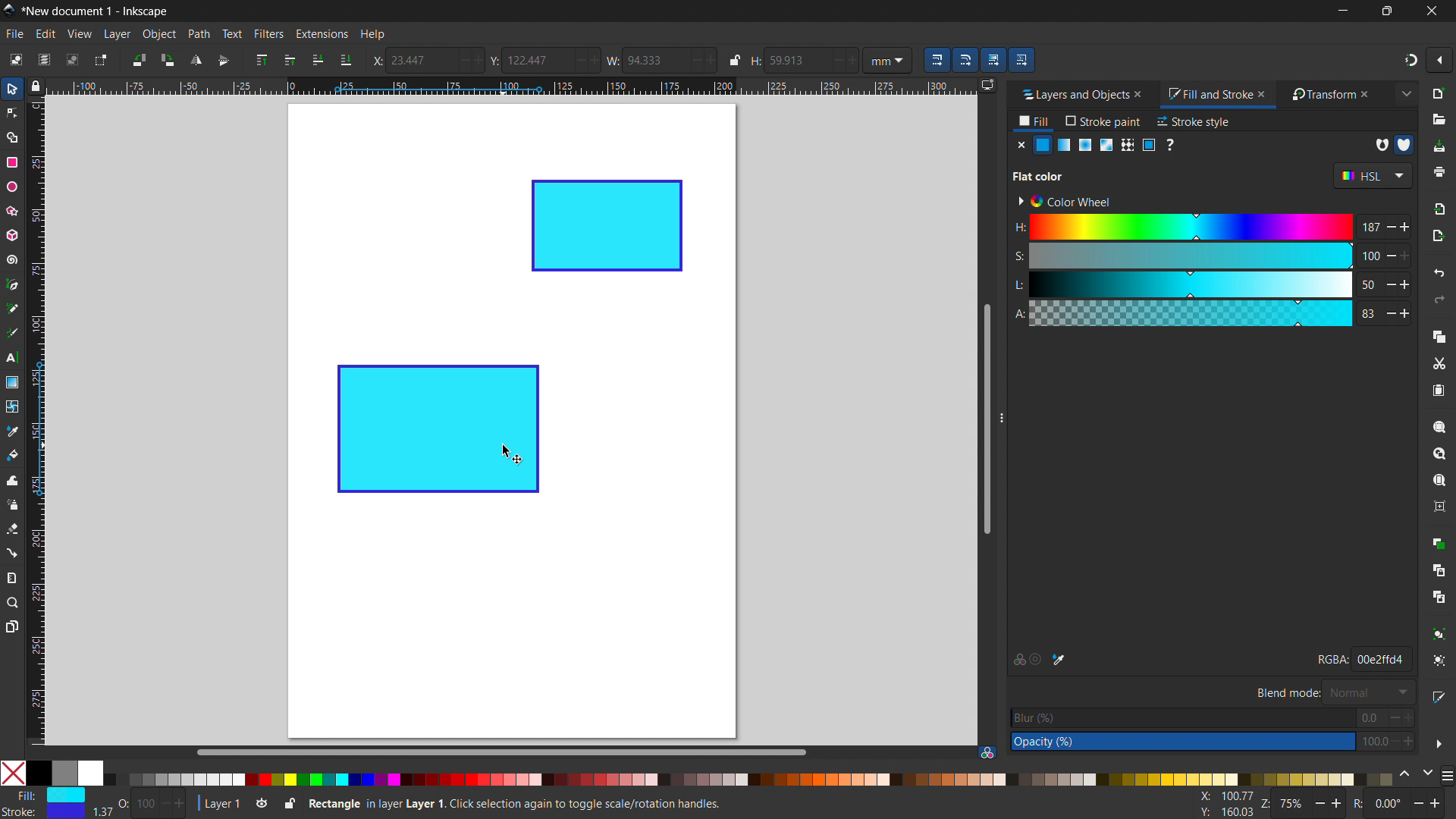  I want to click on view, so click(79, 34).